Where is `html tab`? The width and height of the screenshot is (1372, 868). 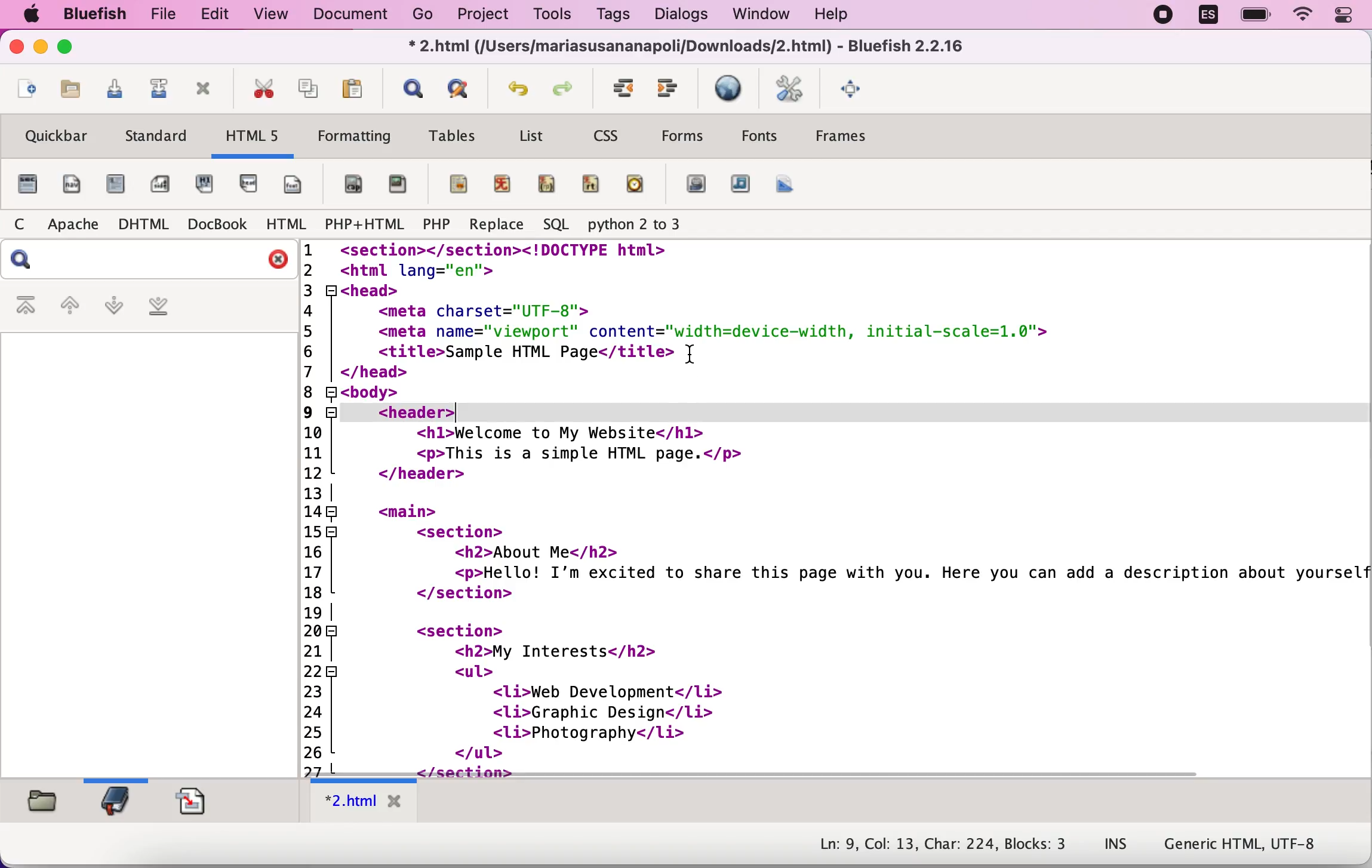 html tab is located at coordinates (363, 802).